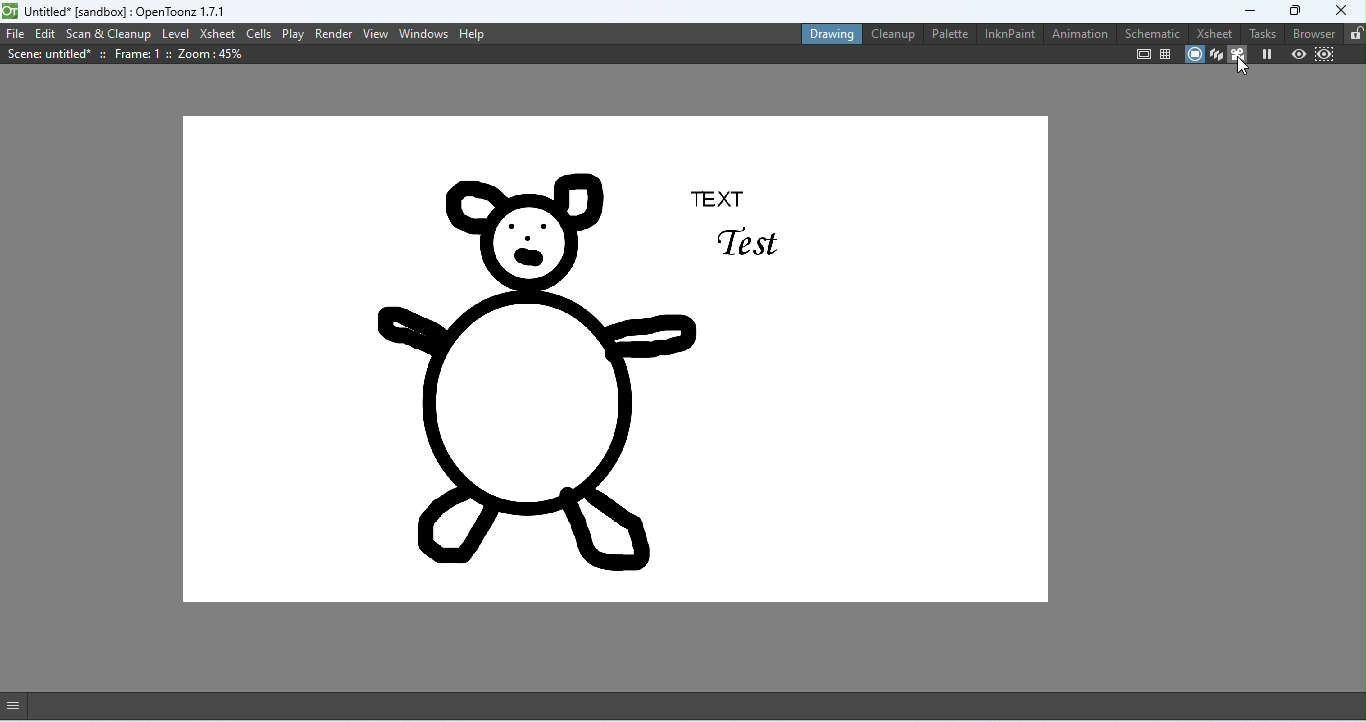 Image resolution: width=1366 pixels, height=722 pixels. Describe the element at coordinates (217, 34) in the screenshot. I see `Xsheet` at that location.